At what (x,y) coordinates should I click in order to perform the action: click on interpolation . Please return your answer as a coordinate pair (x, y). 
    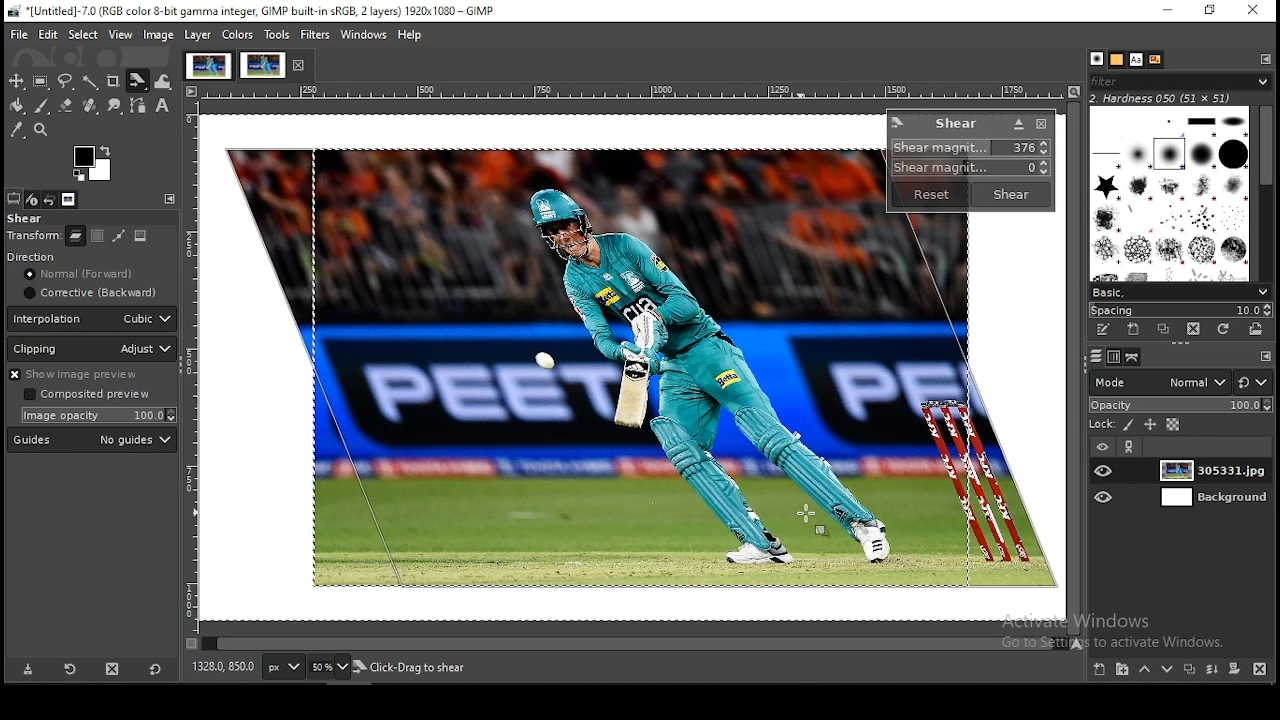
    Looking at the image, I should click on (92, 319).